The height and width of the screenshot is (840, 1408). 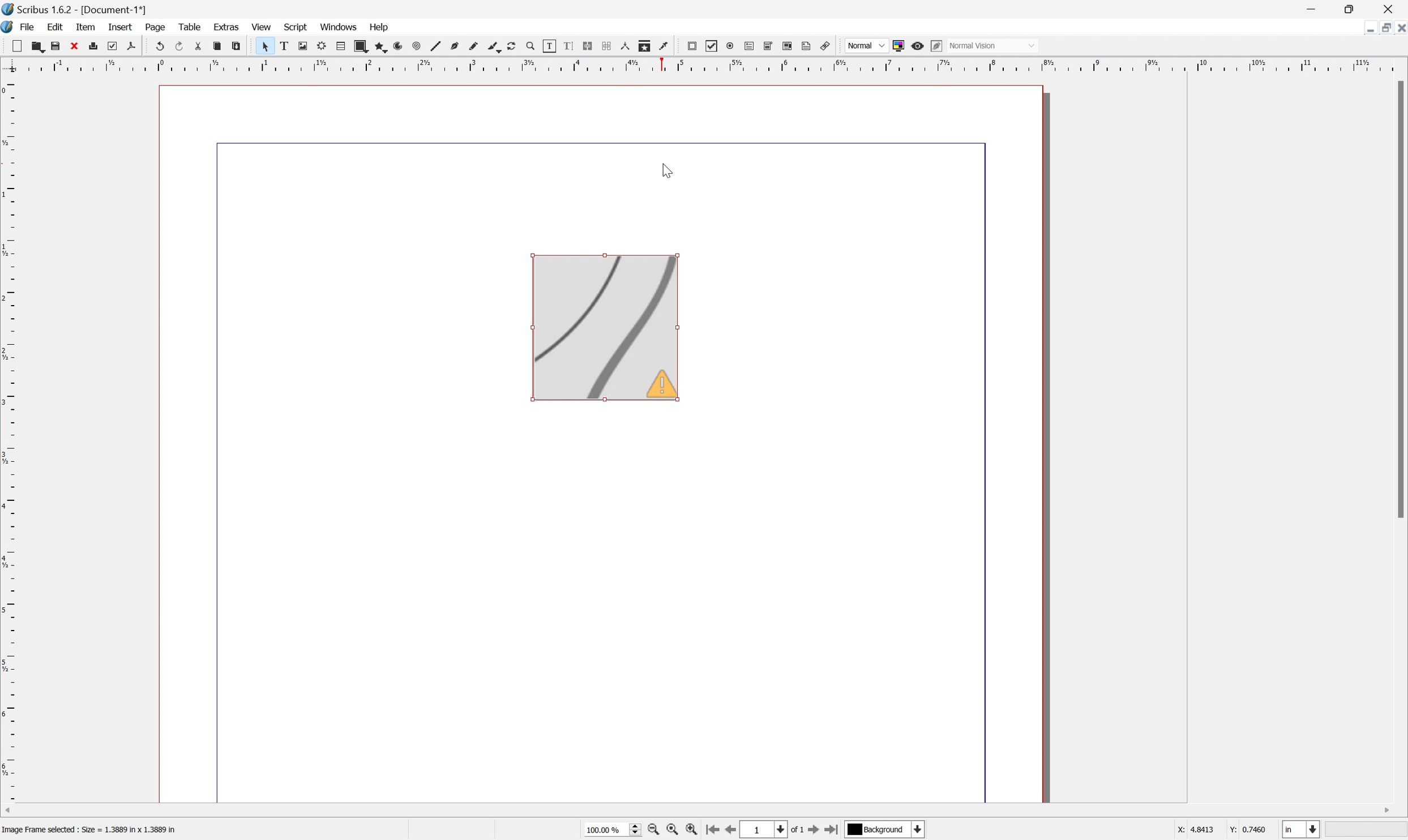 I want to click on Table, so click(x=191, y=25).